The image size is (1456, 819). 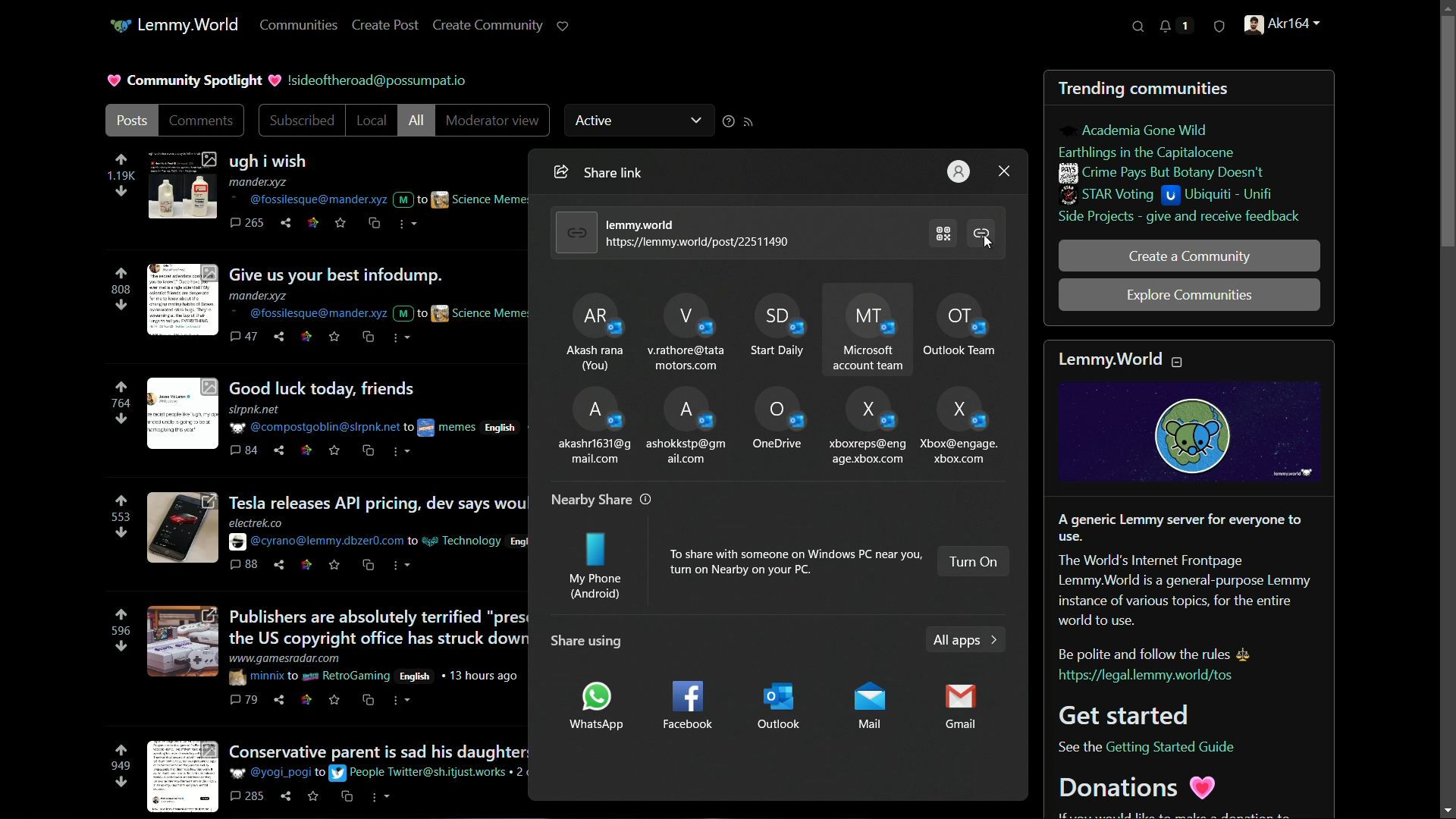 I want to click on save, so click(x=333, y=566).